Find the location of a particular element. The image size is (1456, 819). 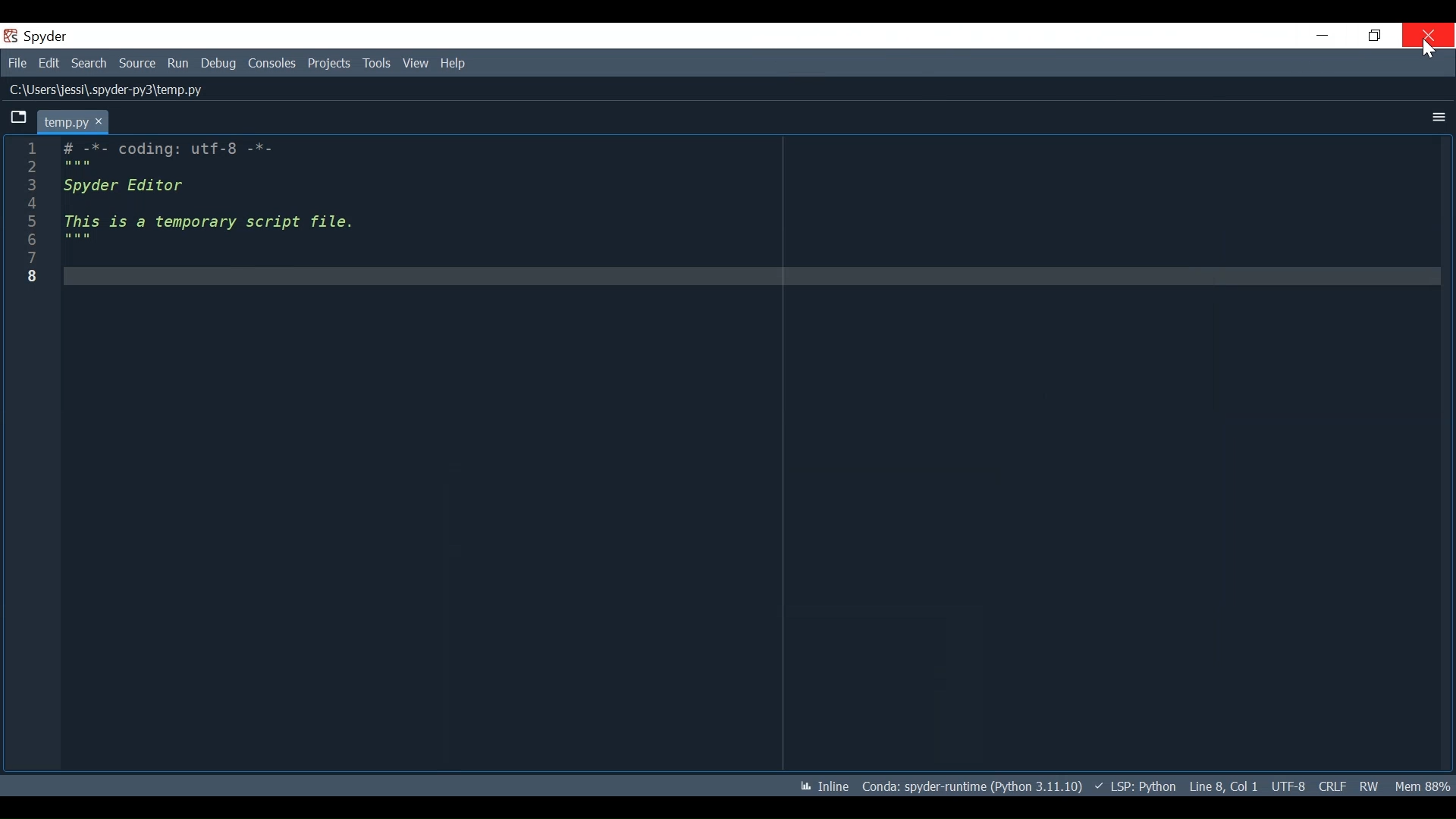

Close is located at coordinates (1428, 35).